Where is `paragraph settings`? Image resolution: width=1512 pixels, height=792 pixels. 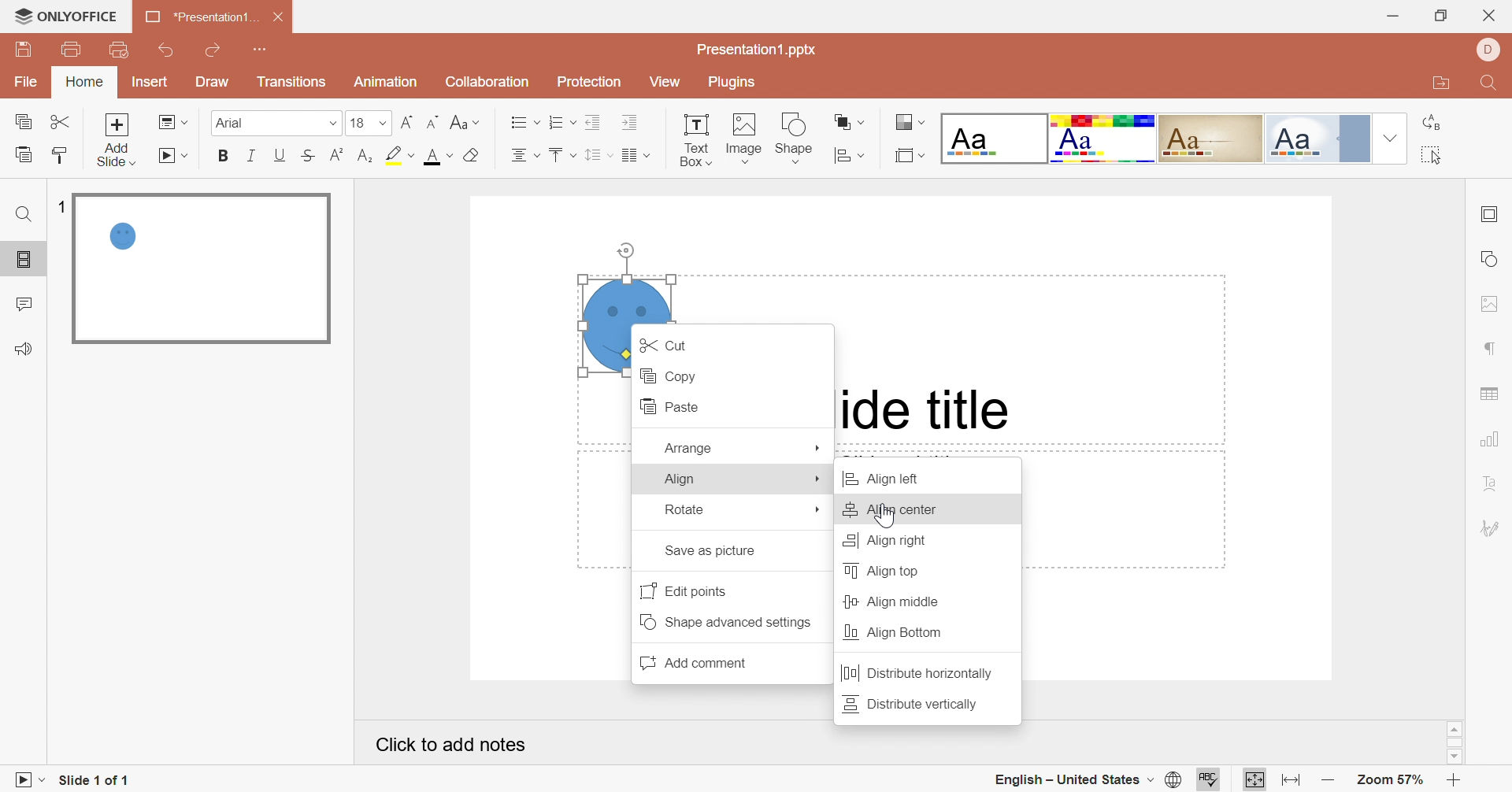 paragraph settings is located at coordinates (1492, 350).